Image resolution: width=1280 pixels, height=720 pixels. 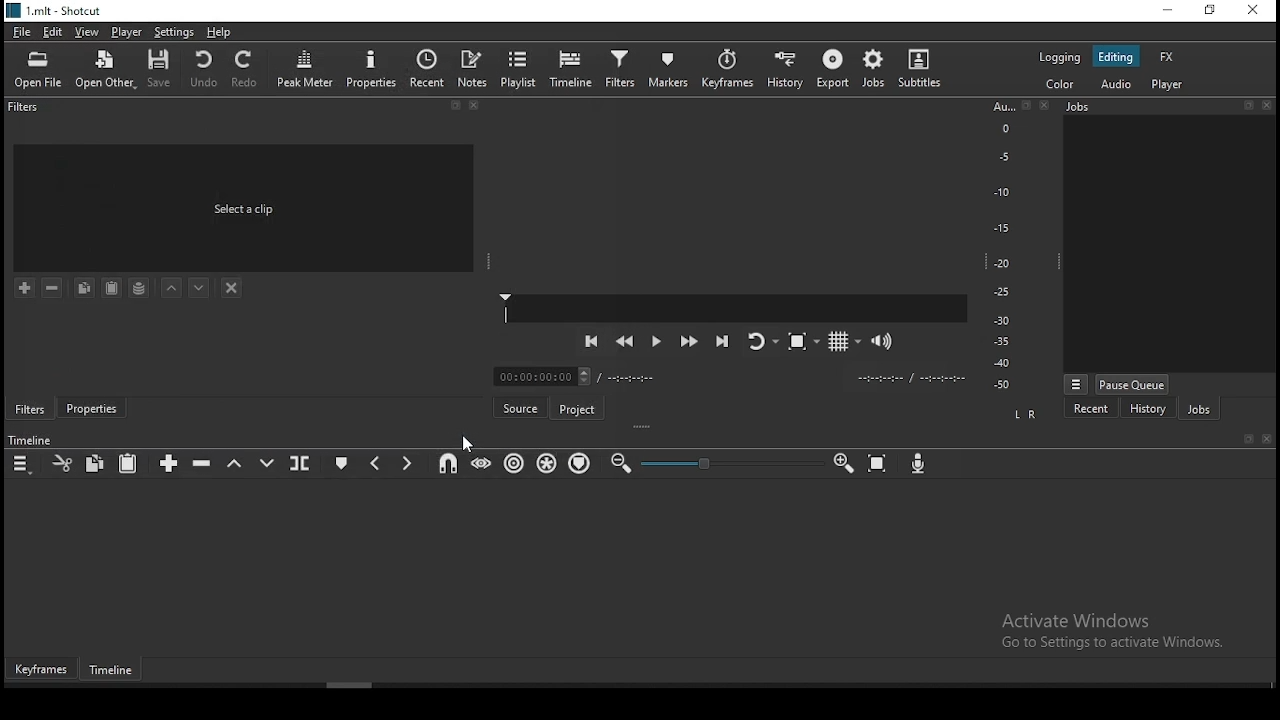 What do you see at coordinates (1269, 104) in the screenshot?
I see `close` at bounding box center [1269, 104].